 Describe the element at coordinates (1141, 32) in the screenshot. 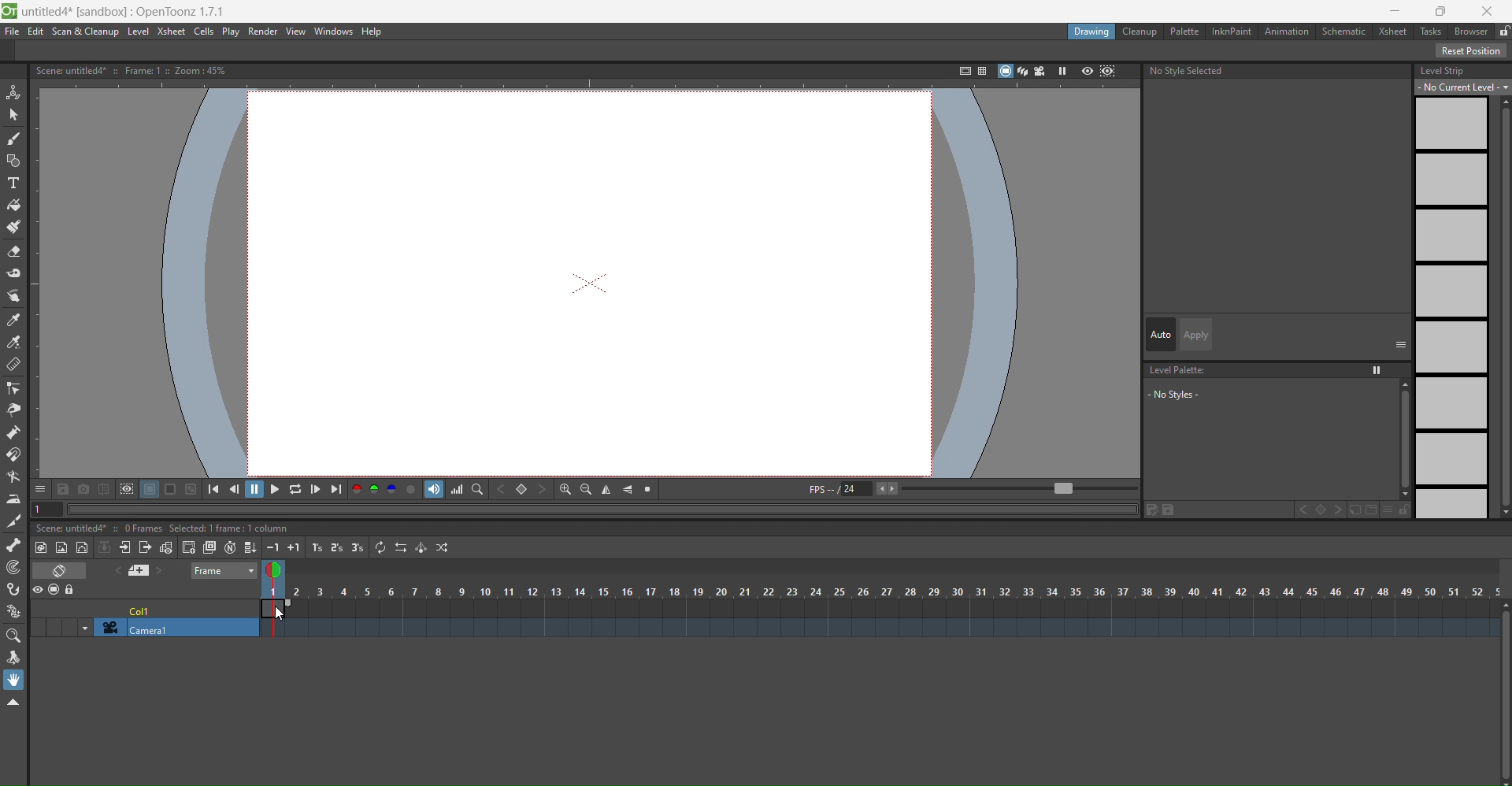

I see `cleanup` at that location.